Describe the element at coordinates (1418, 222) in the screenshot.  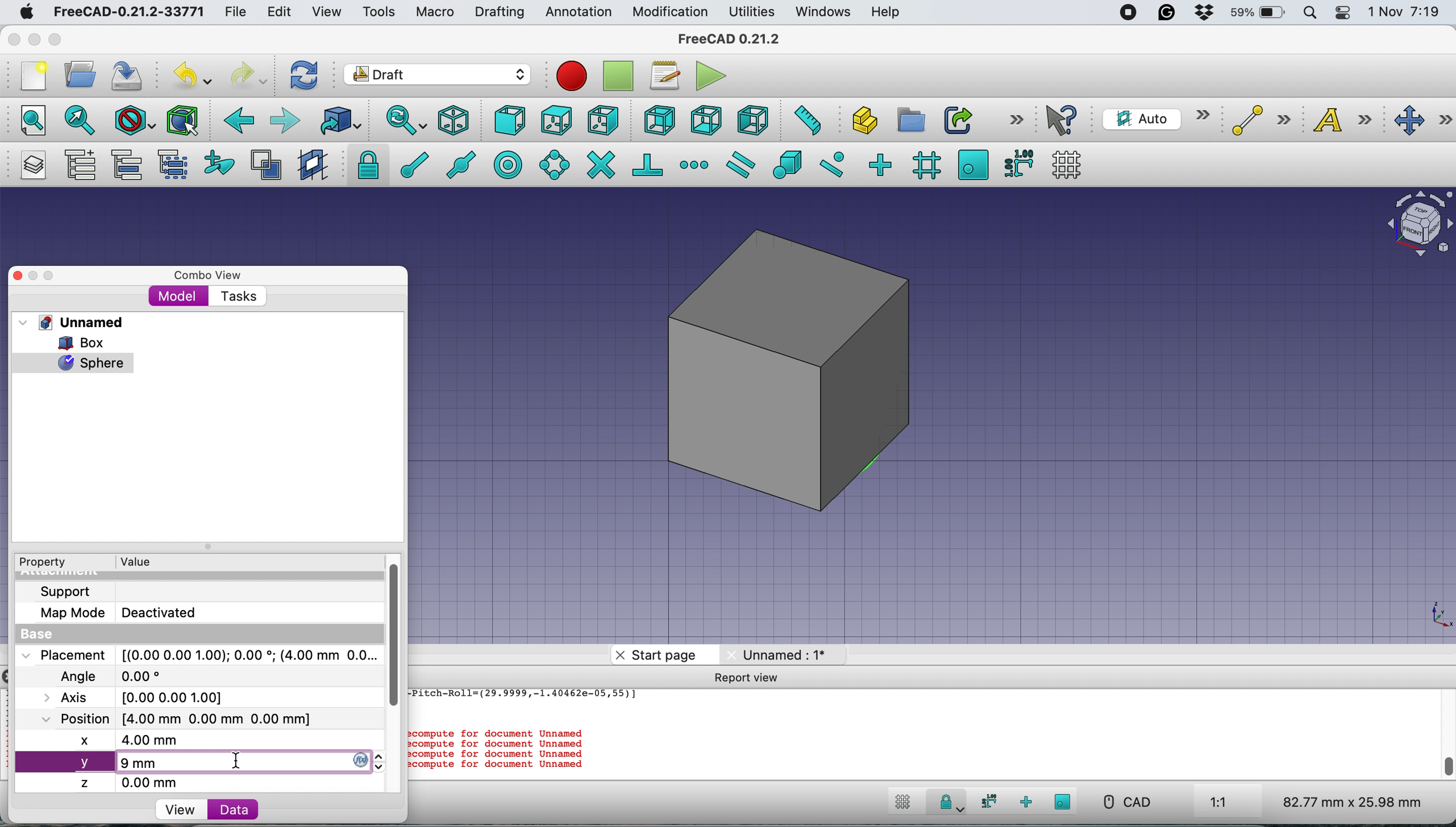
I see `object intersection` at that location.